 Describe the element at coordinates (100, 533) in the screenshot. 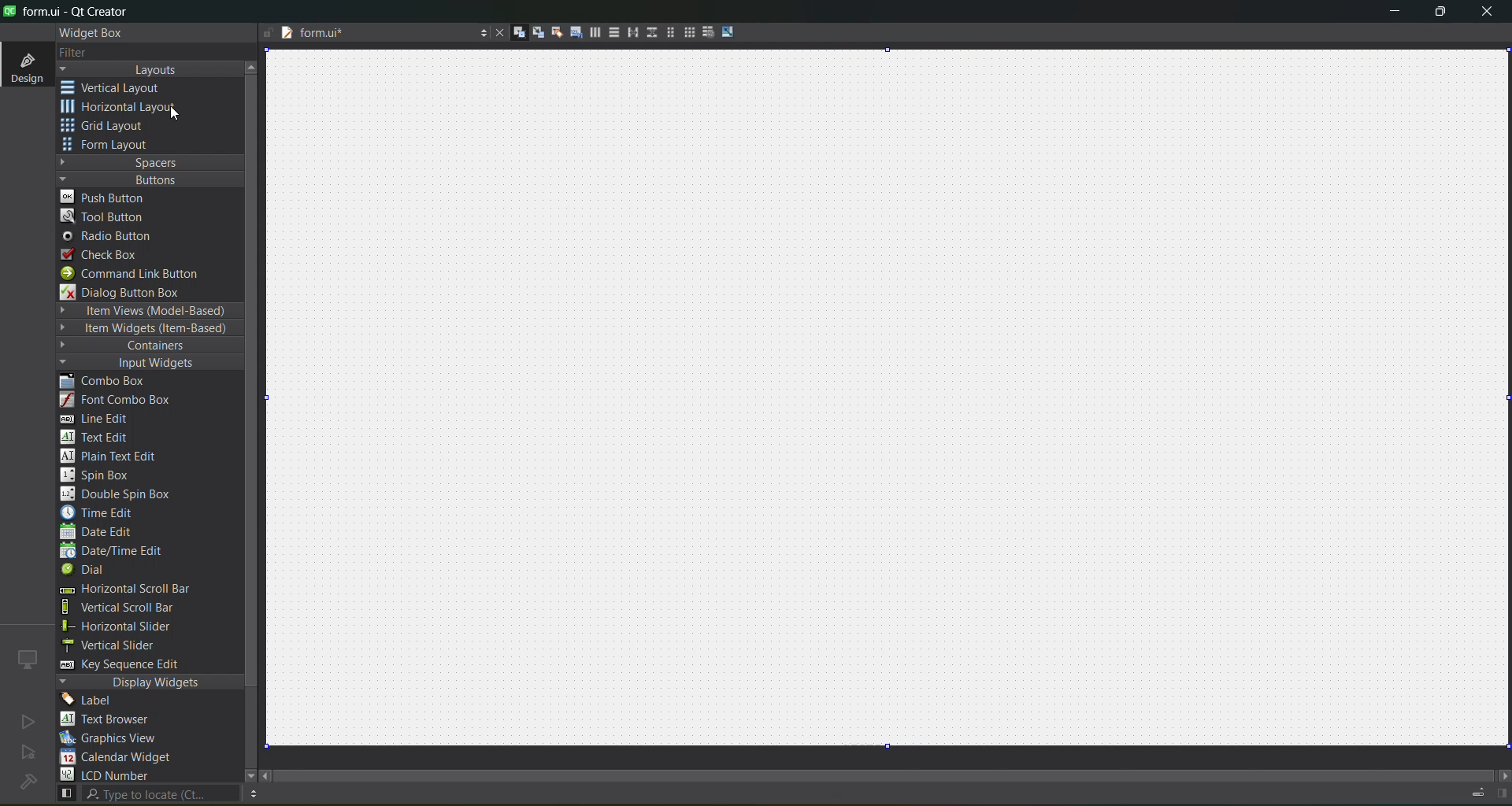

I see `date edit` at that location.